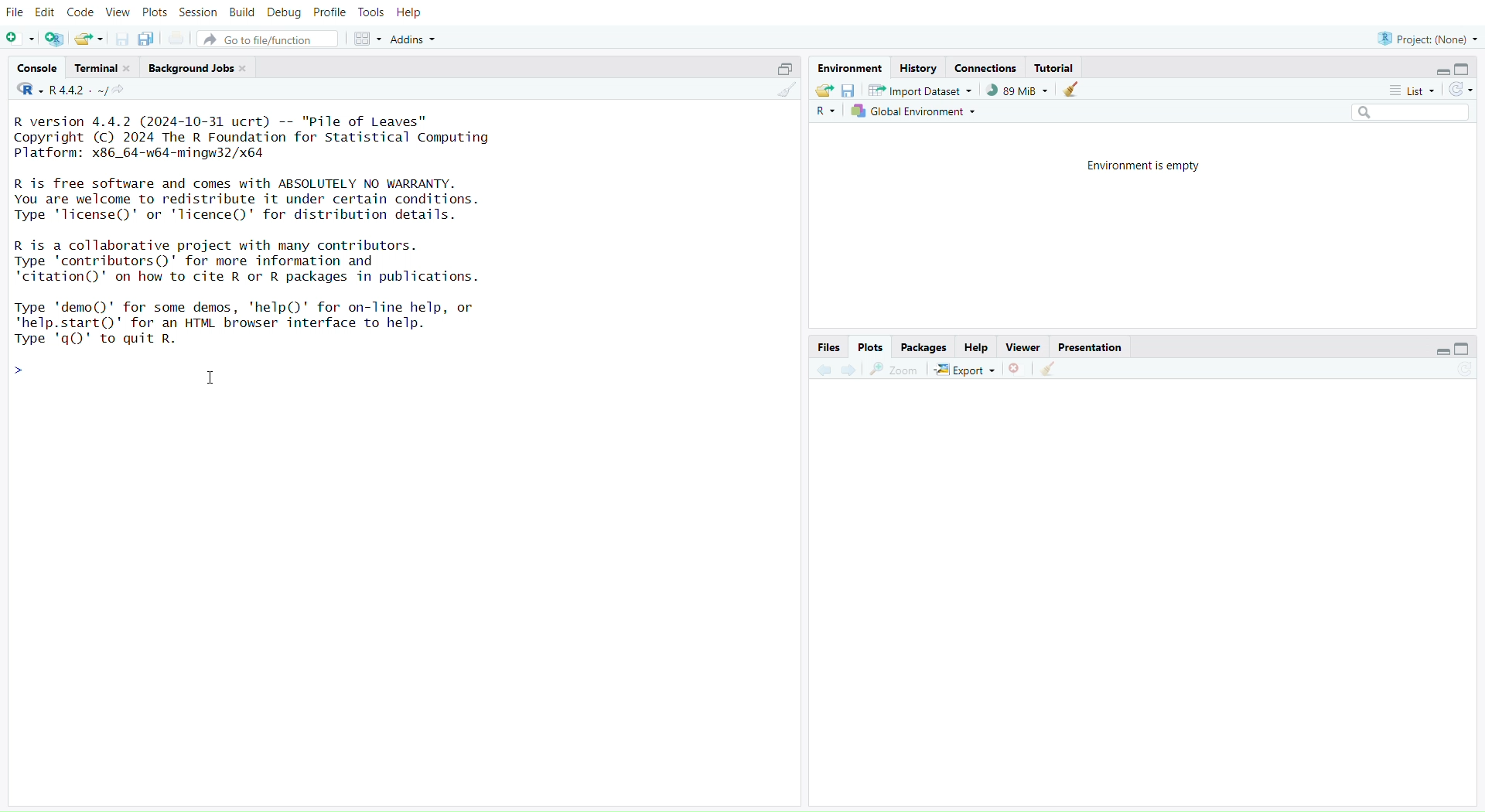 The width and height of the screenshot is (1485, 812). What do you see at coordinates (1411, 90) in the screenshot?
I see `List` at bounding box center [1411, 90].